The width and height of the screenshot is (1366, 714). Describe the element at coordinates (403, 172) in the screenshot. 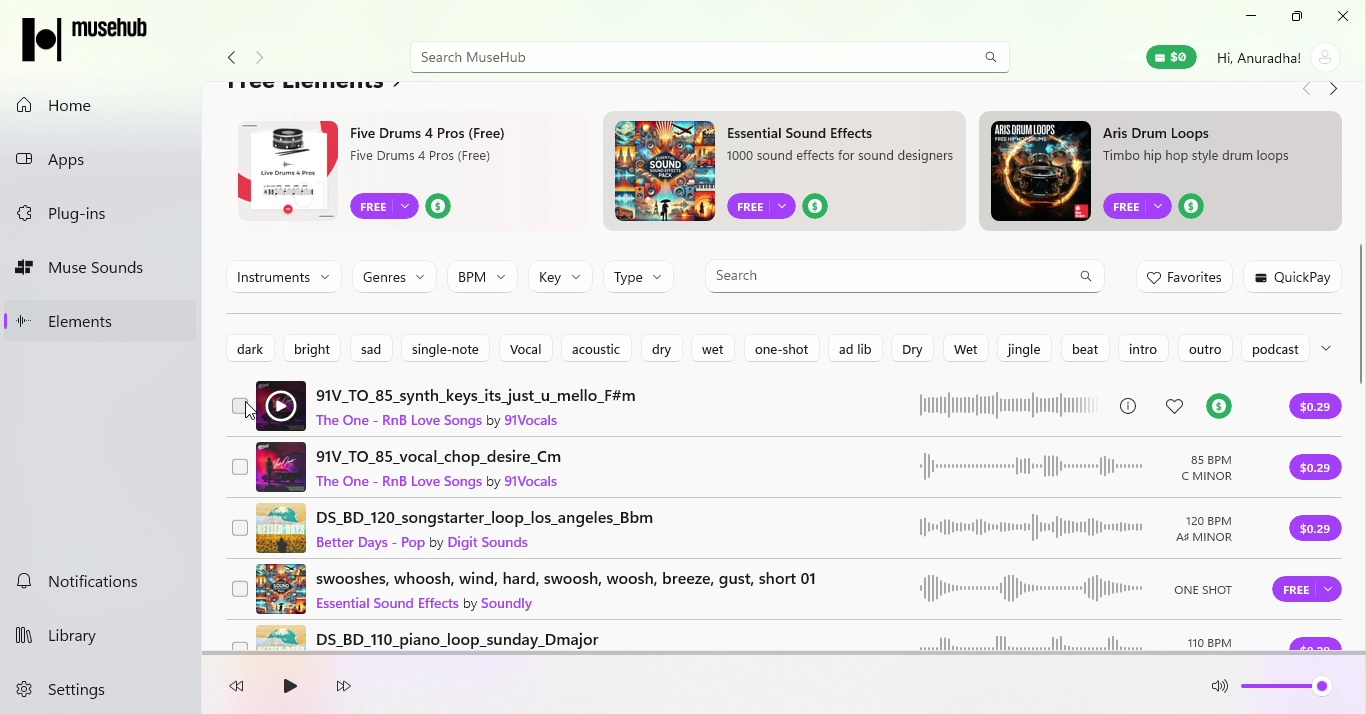

I see `ad` at that location.